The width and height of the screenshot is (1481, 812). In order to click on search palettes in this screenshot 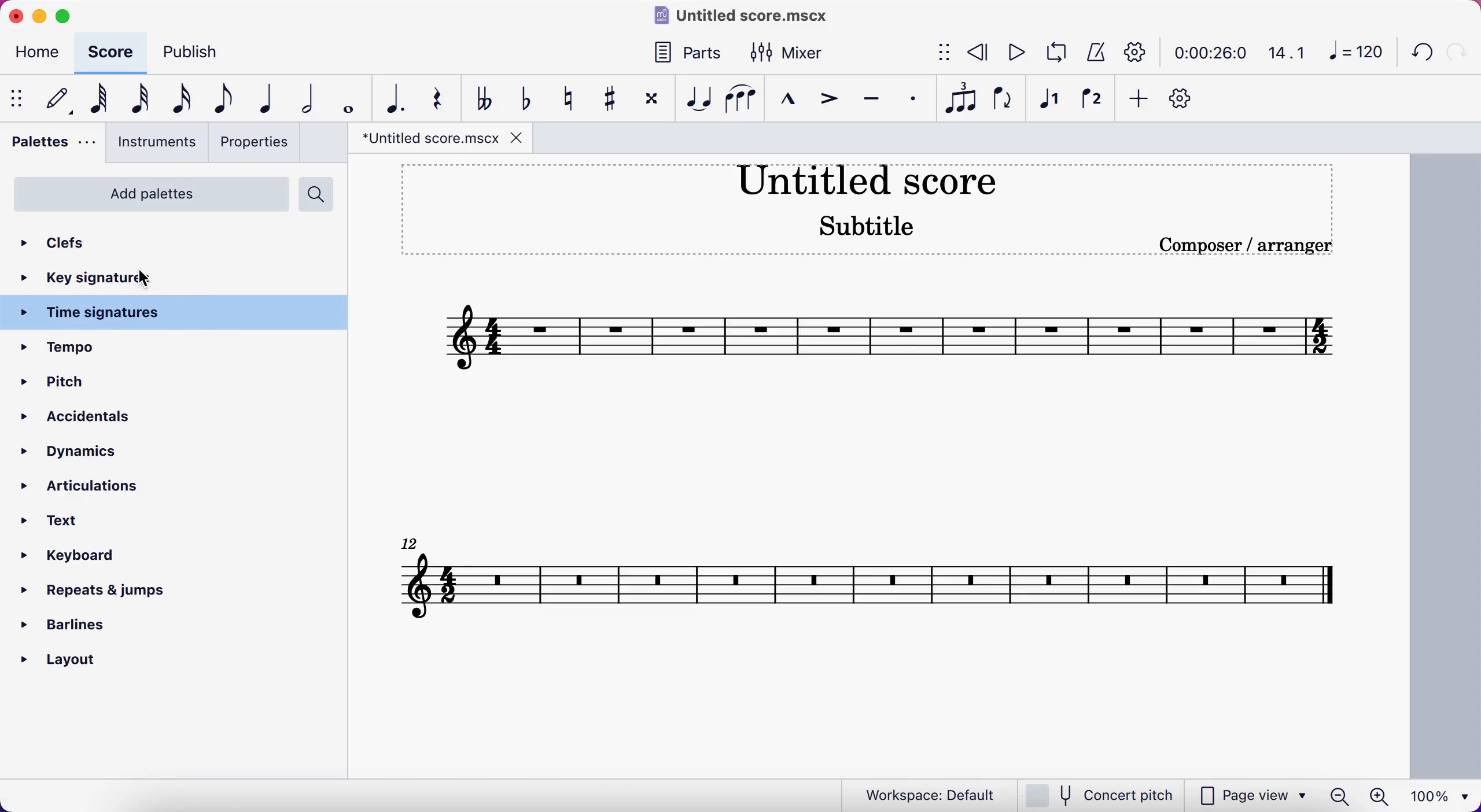, I will do `click(318, 194)`.